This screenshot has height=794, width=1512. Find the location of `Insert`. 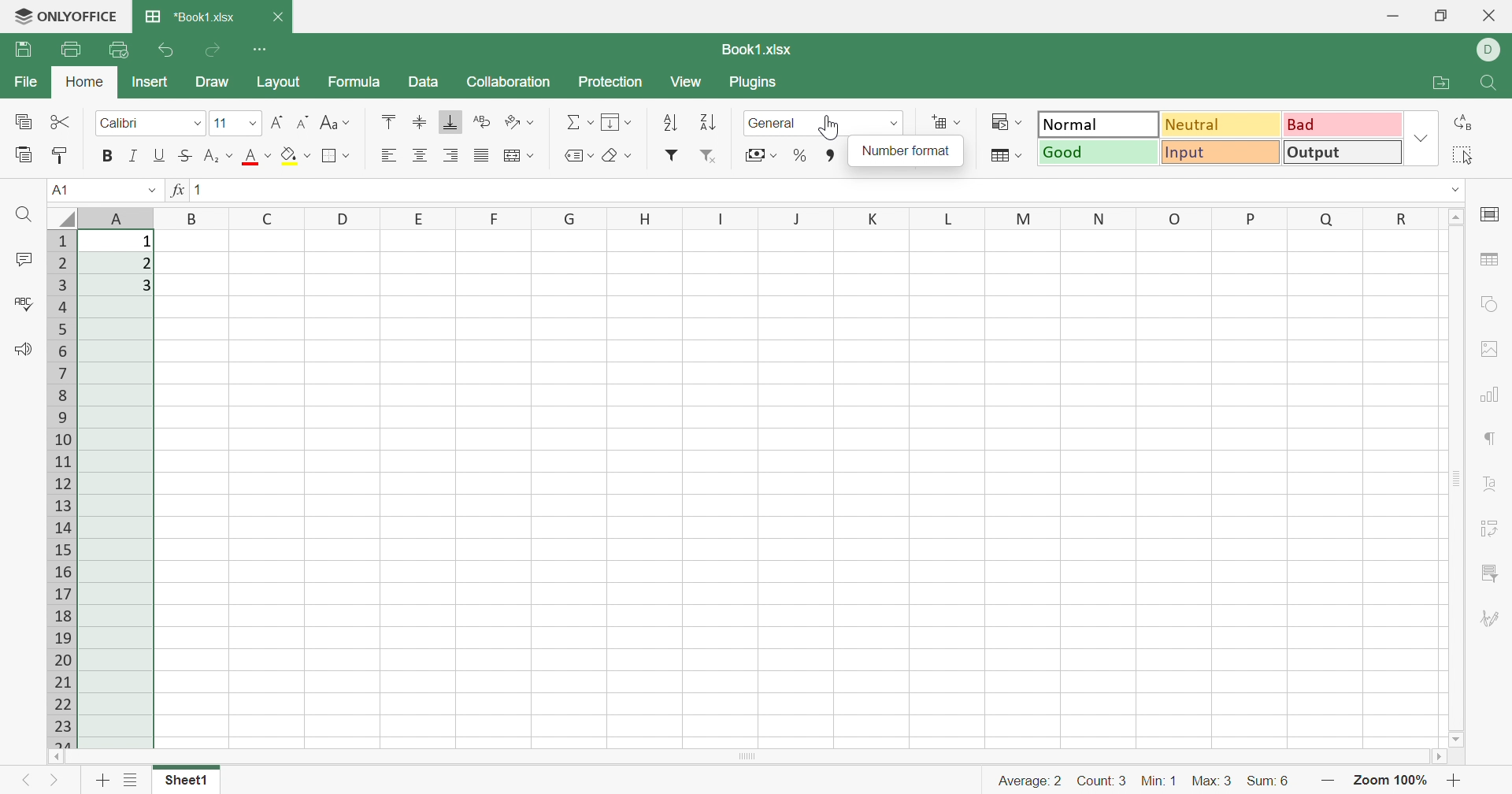

Insert is located at coordinates (150, 82).